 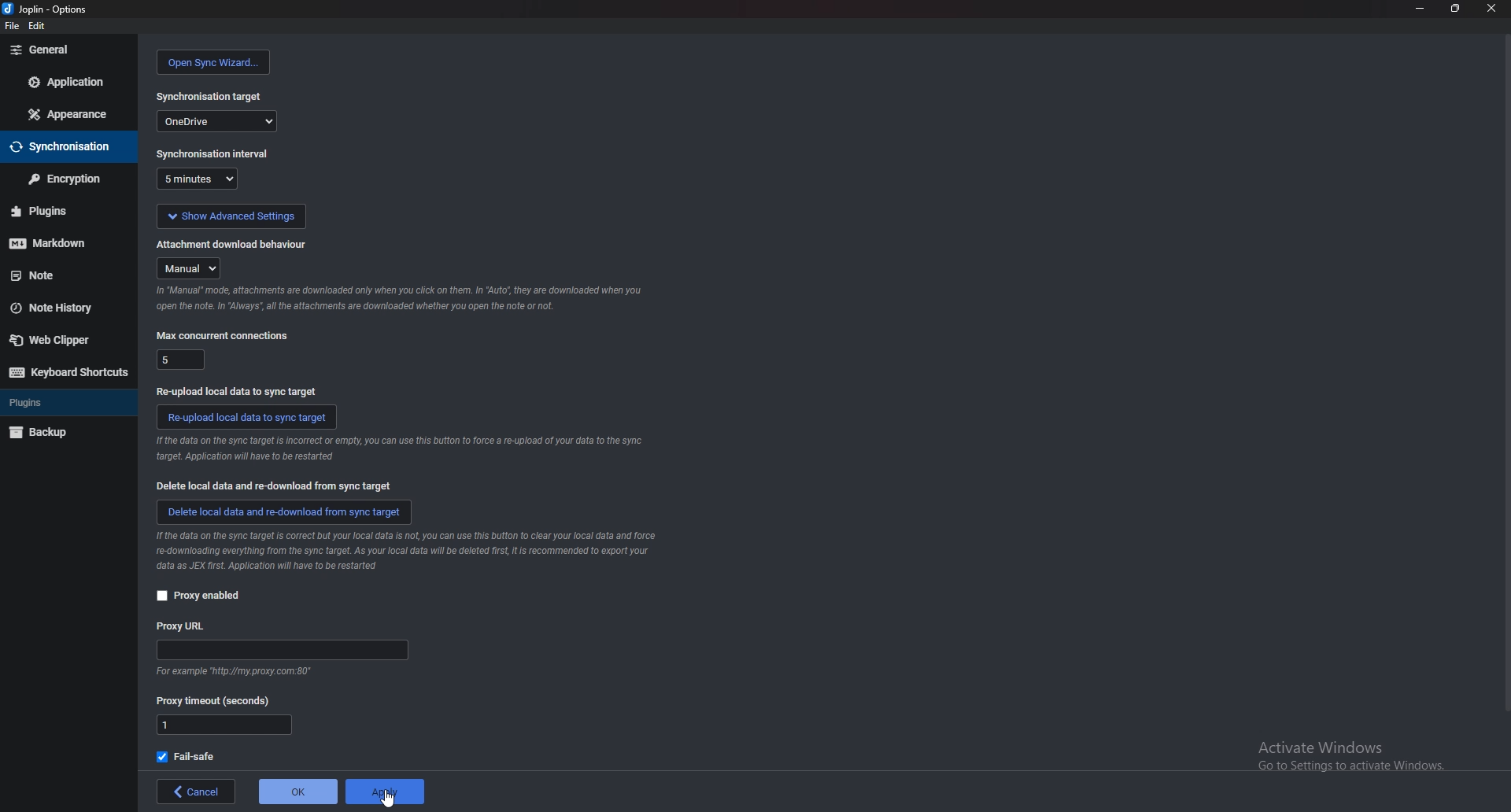 What do you see at coordinates (66, 179) in the screenshot?
I see `encryption` at bounding box center [66, 179].